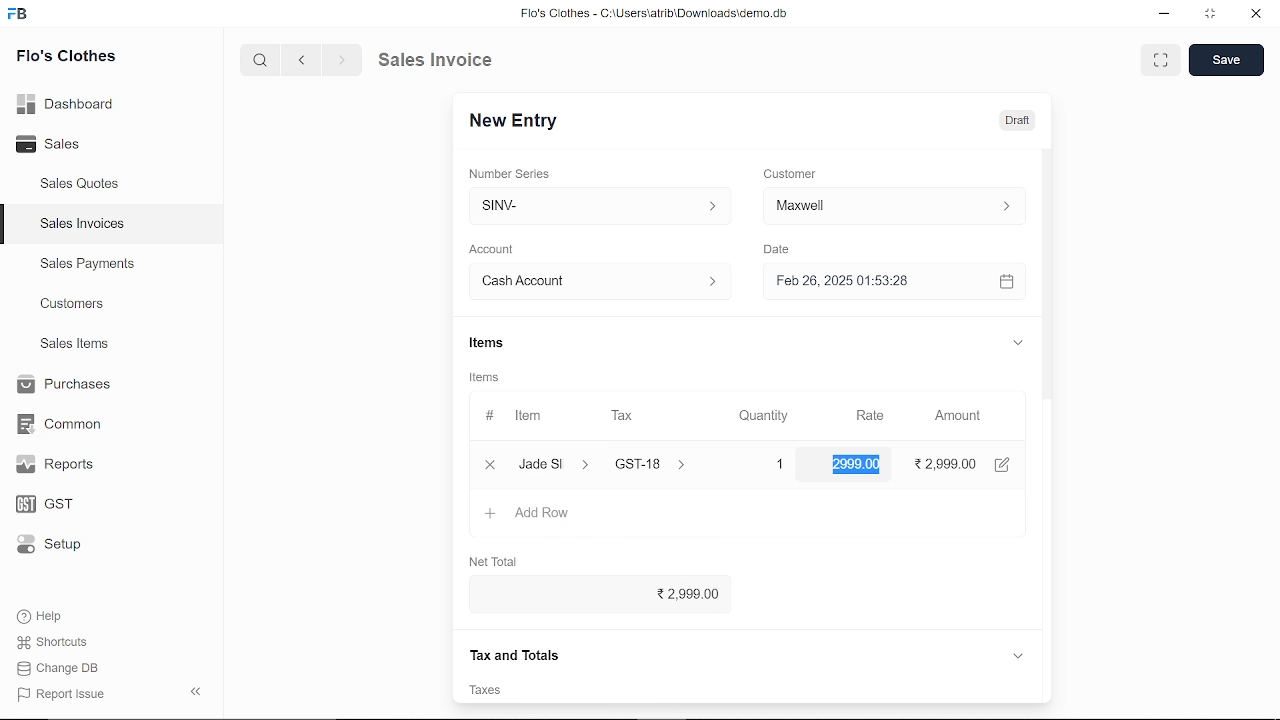 Image resolution: width=1280 pixels, height=720 pixels. I want to click on Add Row, so click(529, 514).